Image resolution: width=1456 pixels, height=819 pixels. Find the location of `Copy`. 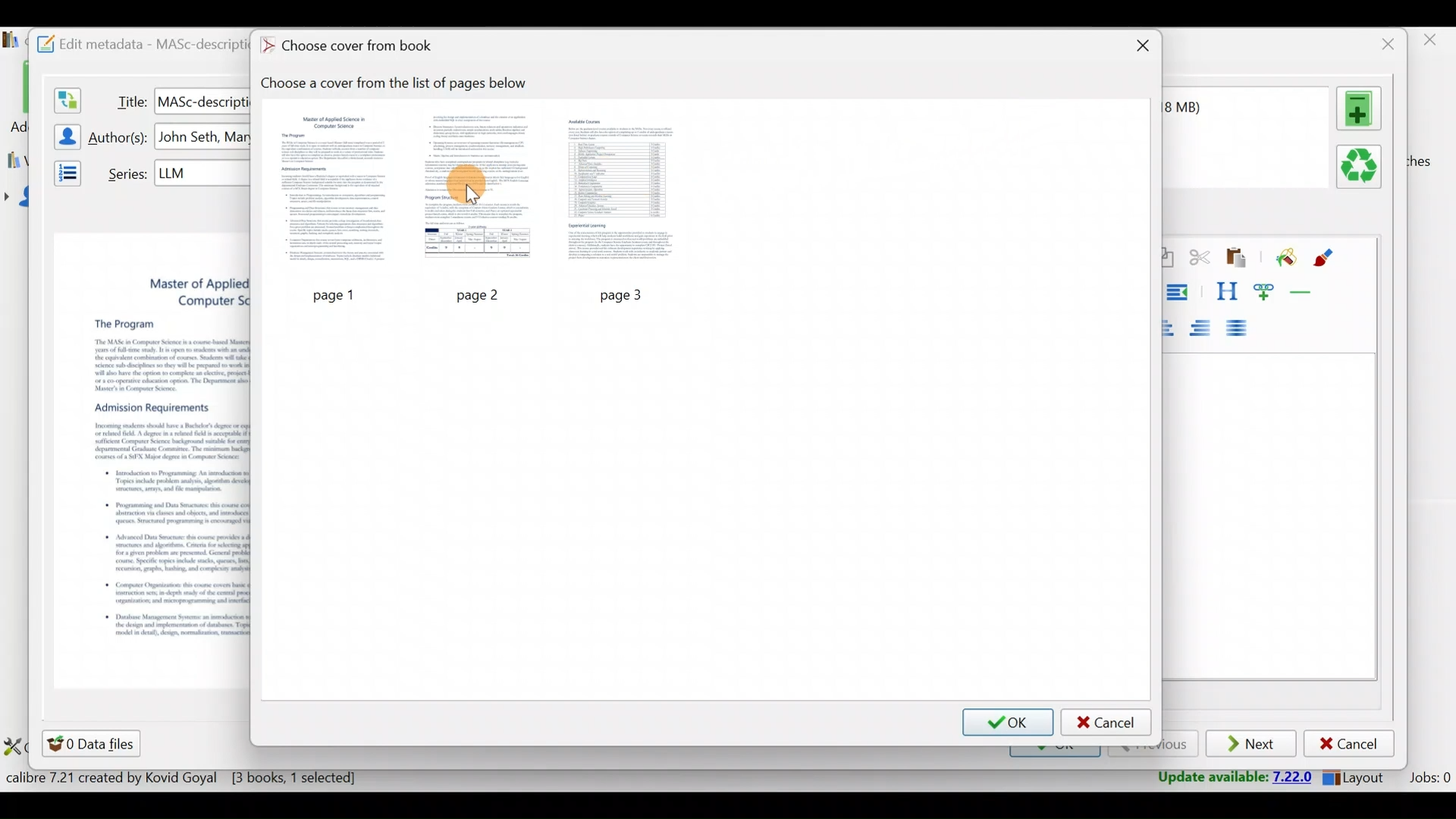

Copy is located at coordinates (1167, 259).